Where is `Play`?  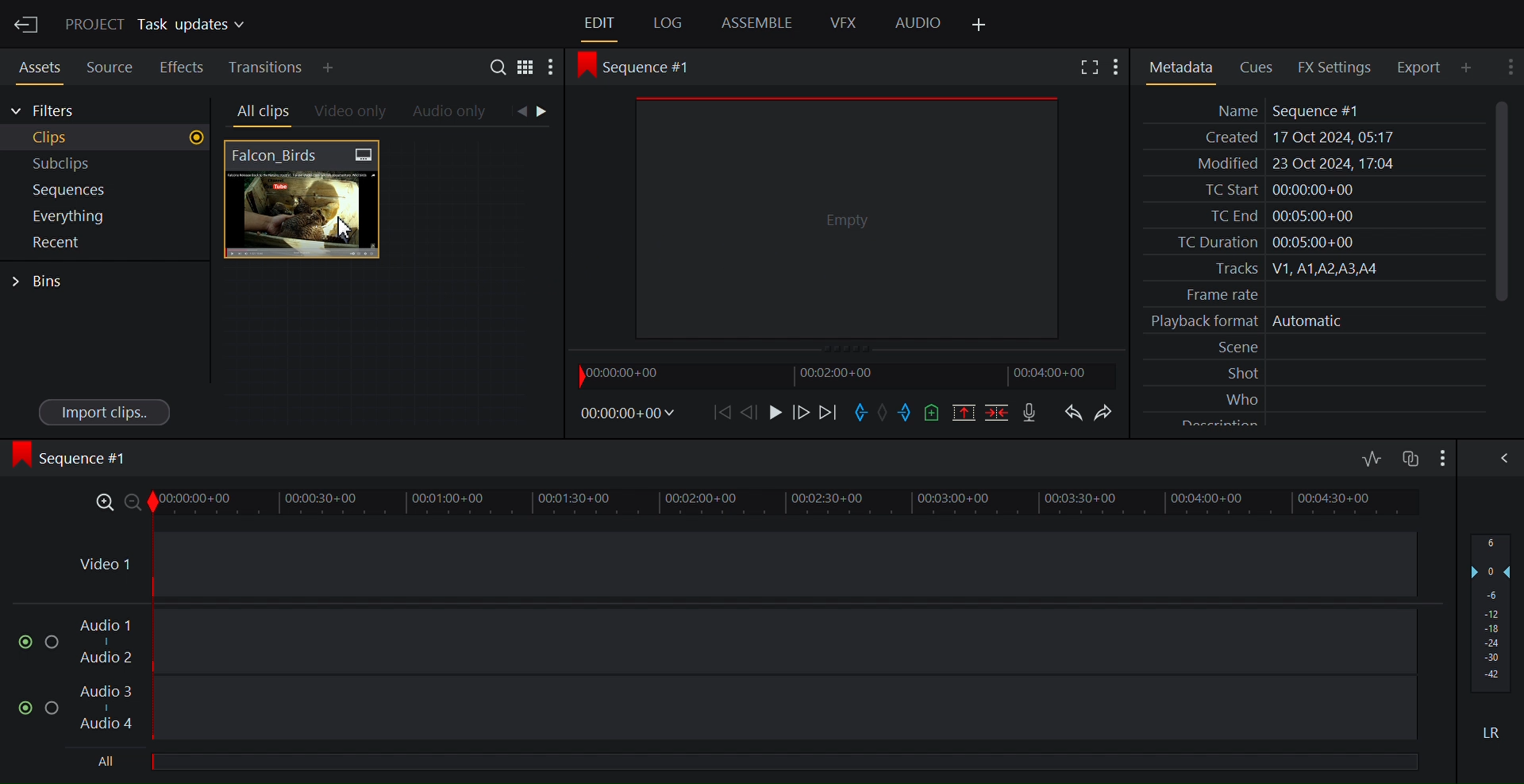
Play is located at coordinates (775, 413).